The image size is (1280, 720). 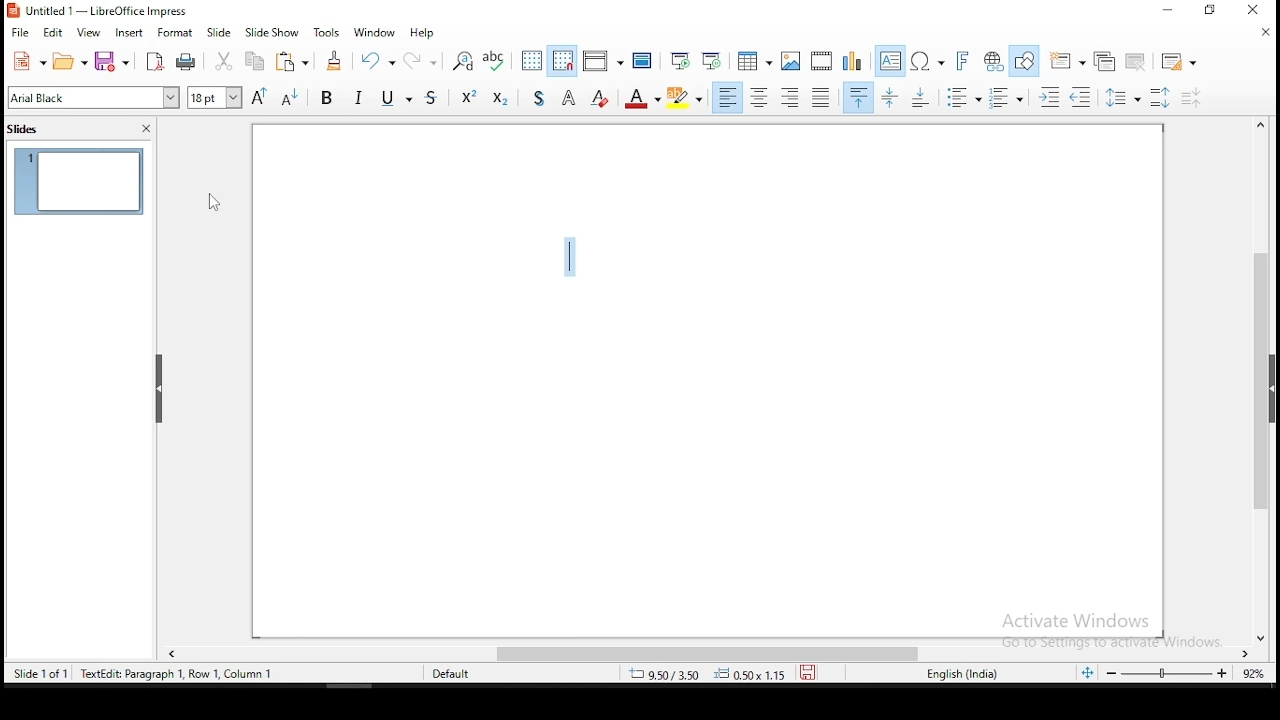 What do you see at coordinates (563, 59) in the screenshot?
I see `snap to grid` at bounding box center [563, 59].